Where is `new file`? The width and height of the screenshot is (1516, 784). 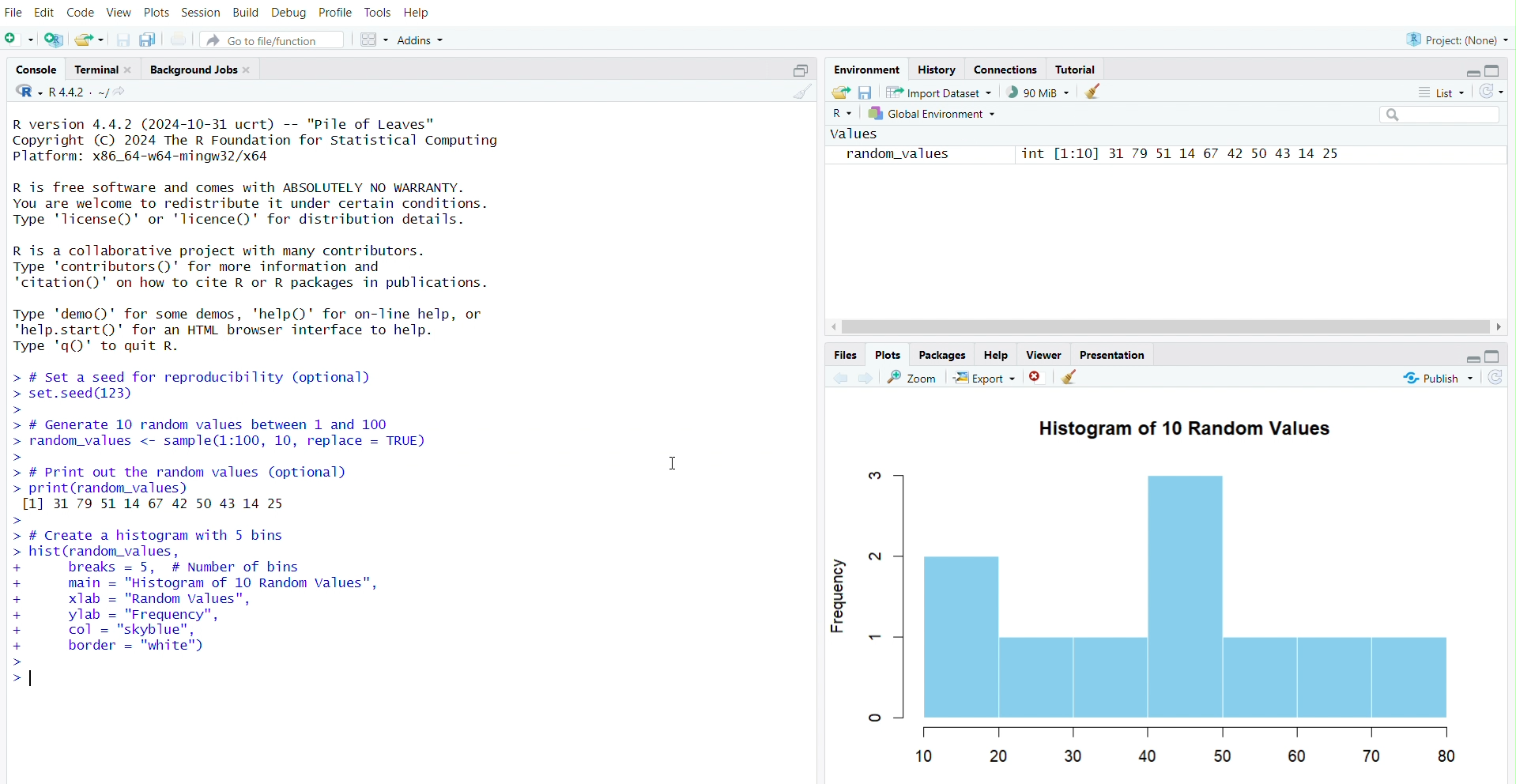 new file is located at coordinates (19, 40).